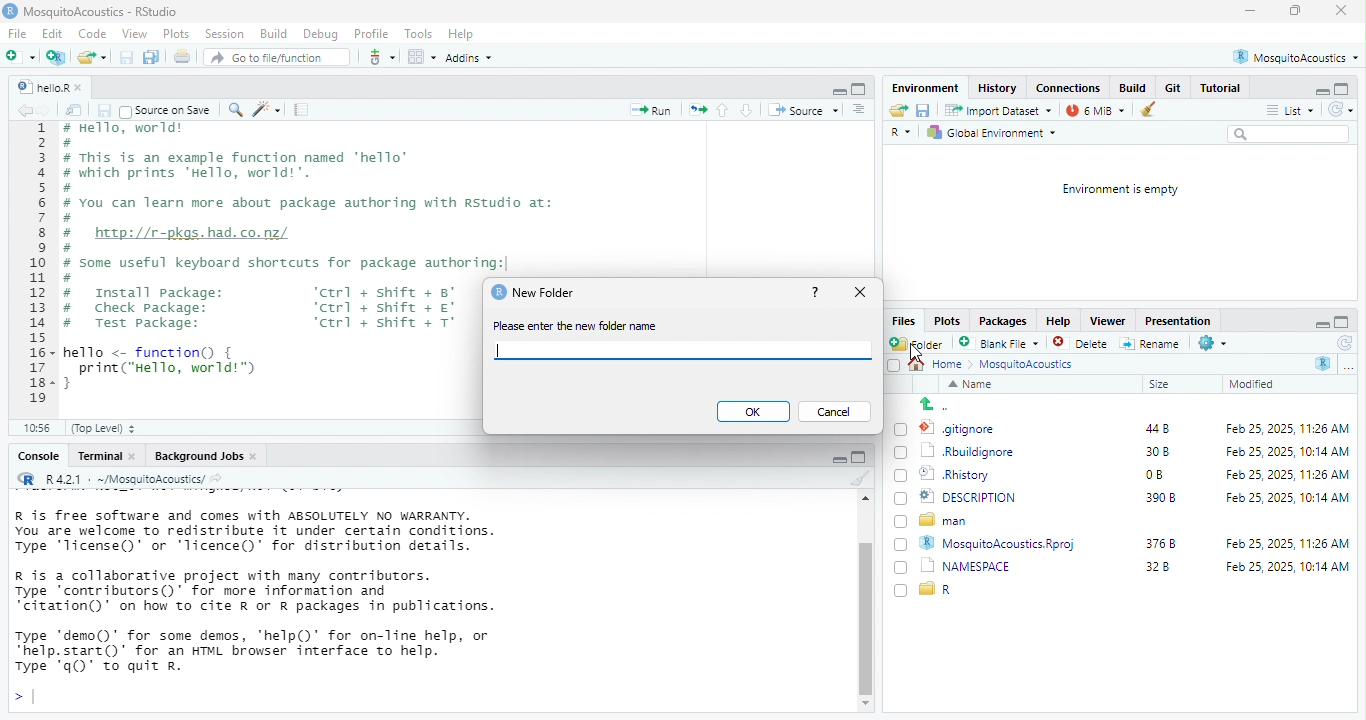 The width and height of the screenshot is (1366, 720). Describe the element at coordinates (835, 88) in the screenshot. I see `hide r script` at that location.